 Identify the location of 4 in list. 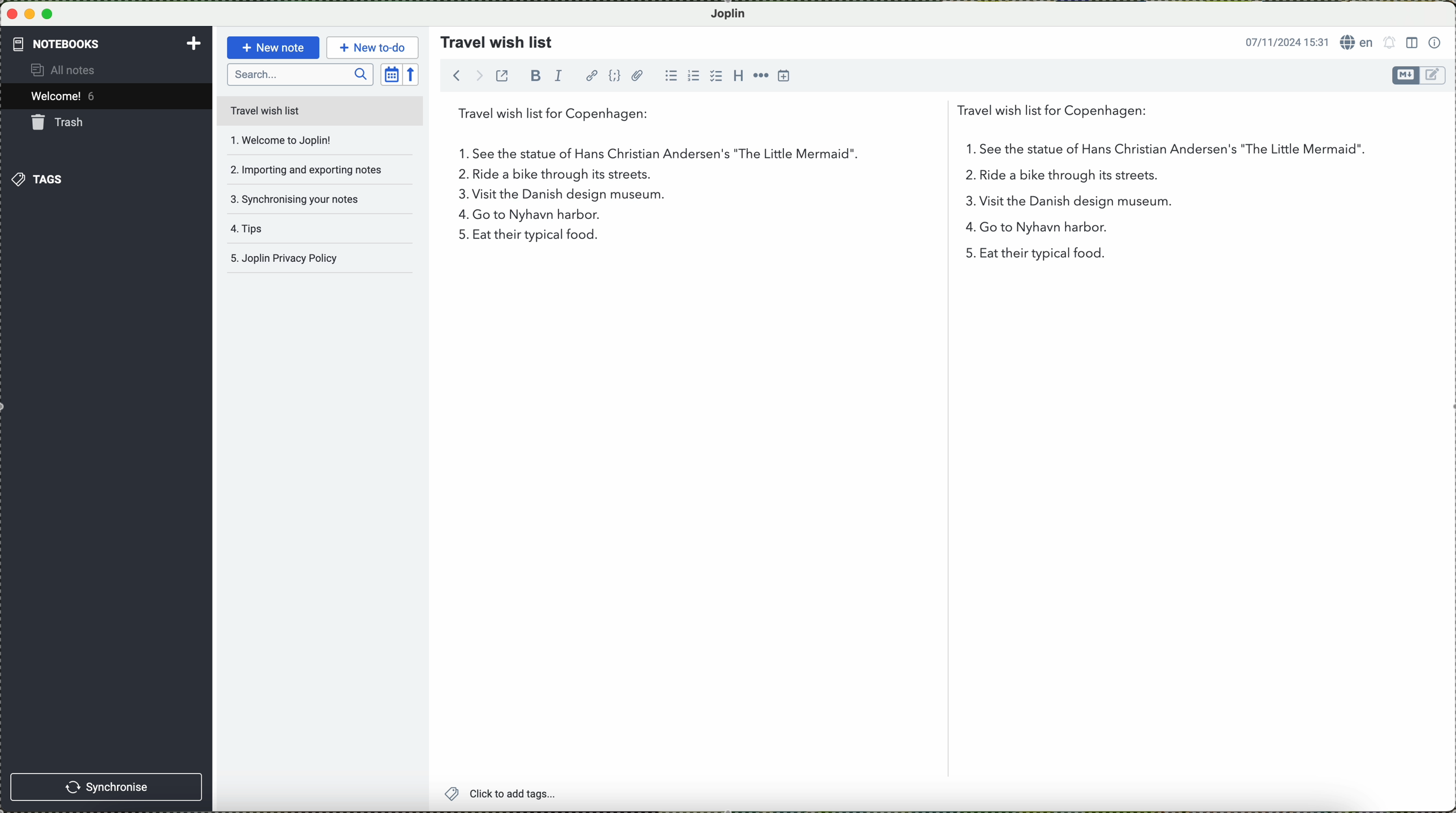
(461, 215).